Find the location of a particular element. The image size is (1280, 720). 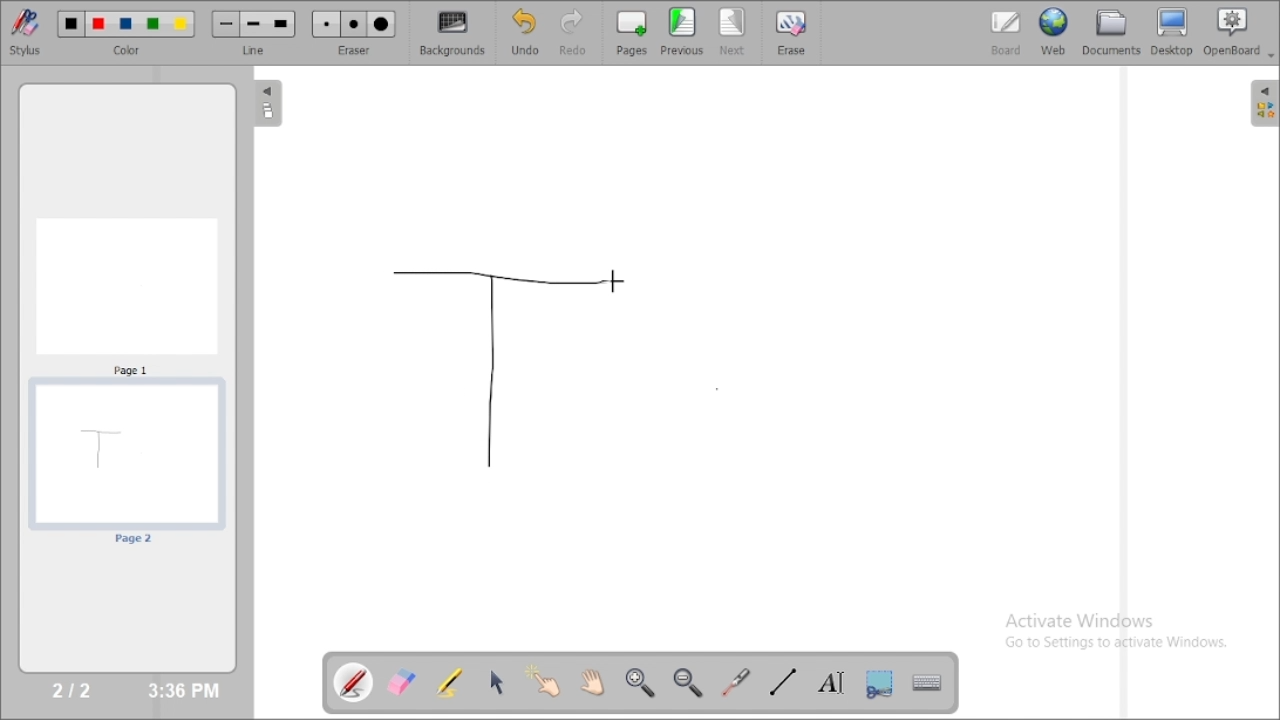

web is located at coordinates (1054, 31).